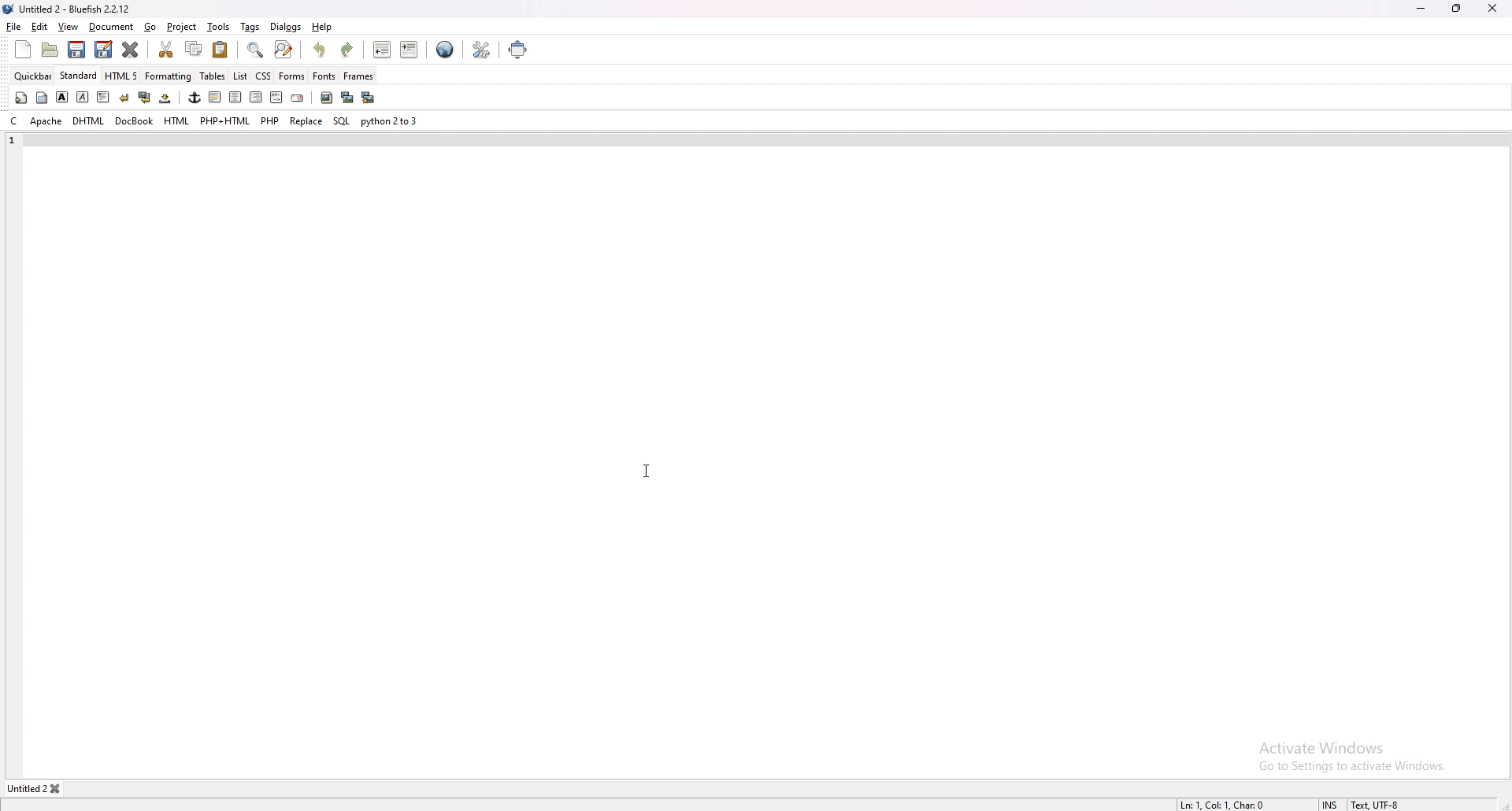 This screenshot has height=811, width=1512. What do you see at coordinates (347, 48) in the screenshot?
I see `redo` at bounding box center [347, 48].